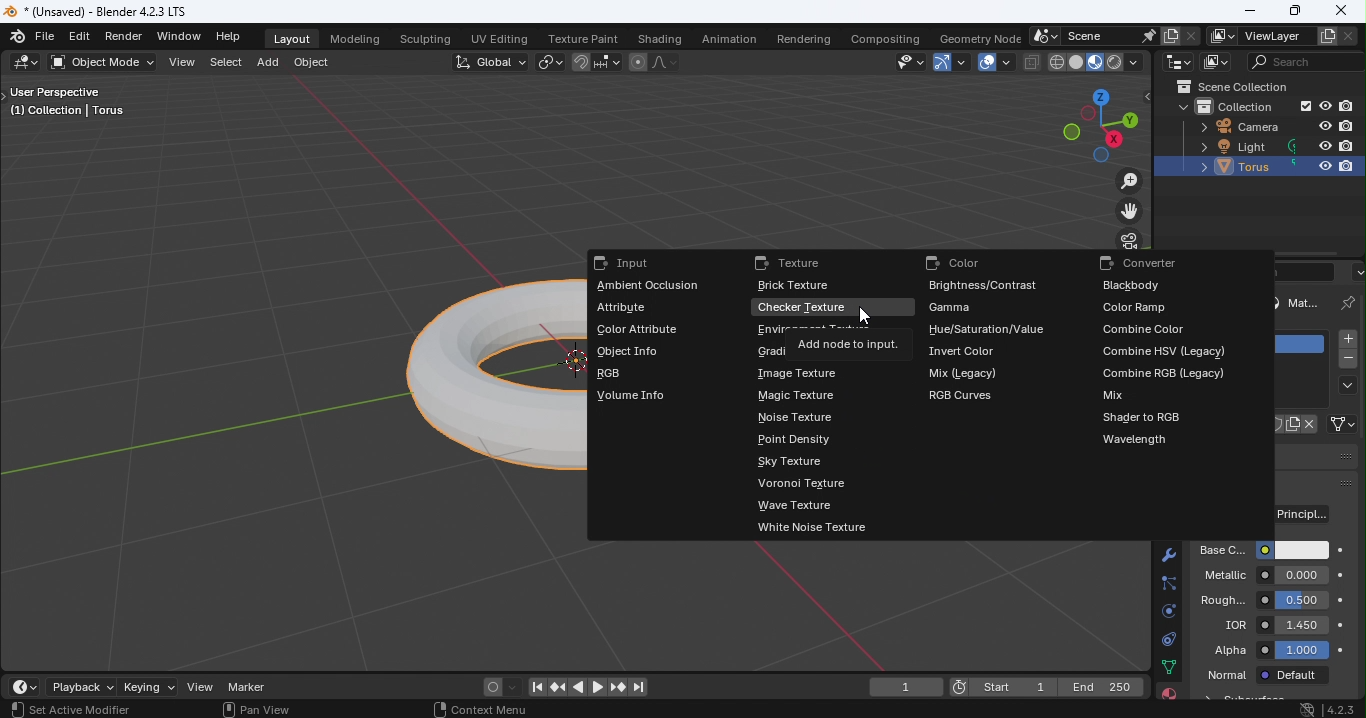 Image resolution: width=1366 pixels, height=718 pixels. What do you see at coordinates (1304, 344) in the screenshot?
I see `Material` at bounding box center [1304, 344].